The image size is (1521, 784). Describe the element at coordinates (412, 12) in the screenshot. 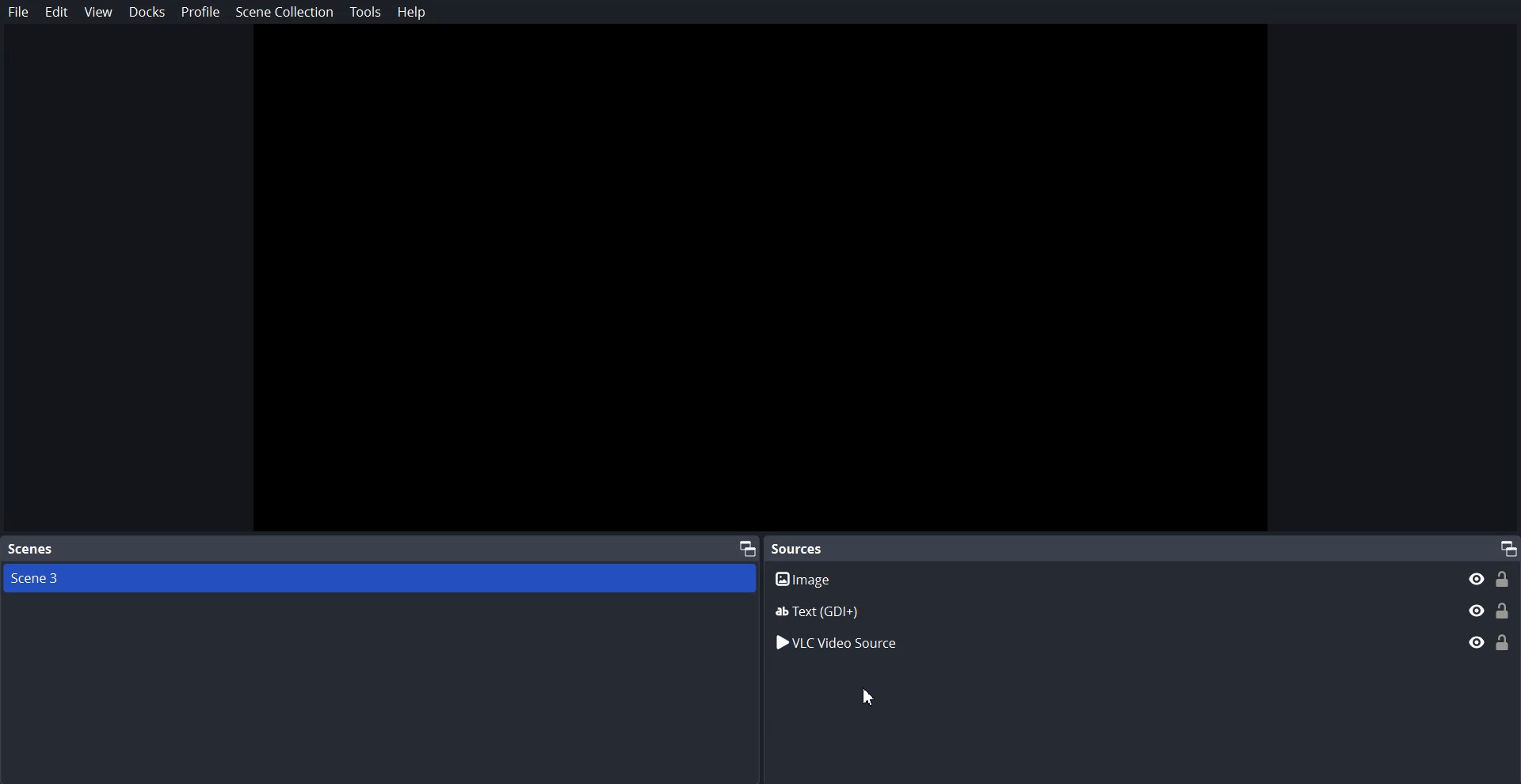

I see `Help` at that location.